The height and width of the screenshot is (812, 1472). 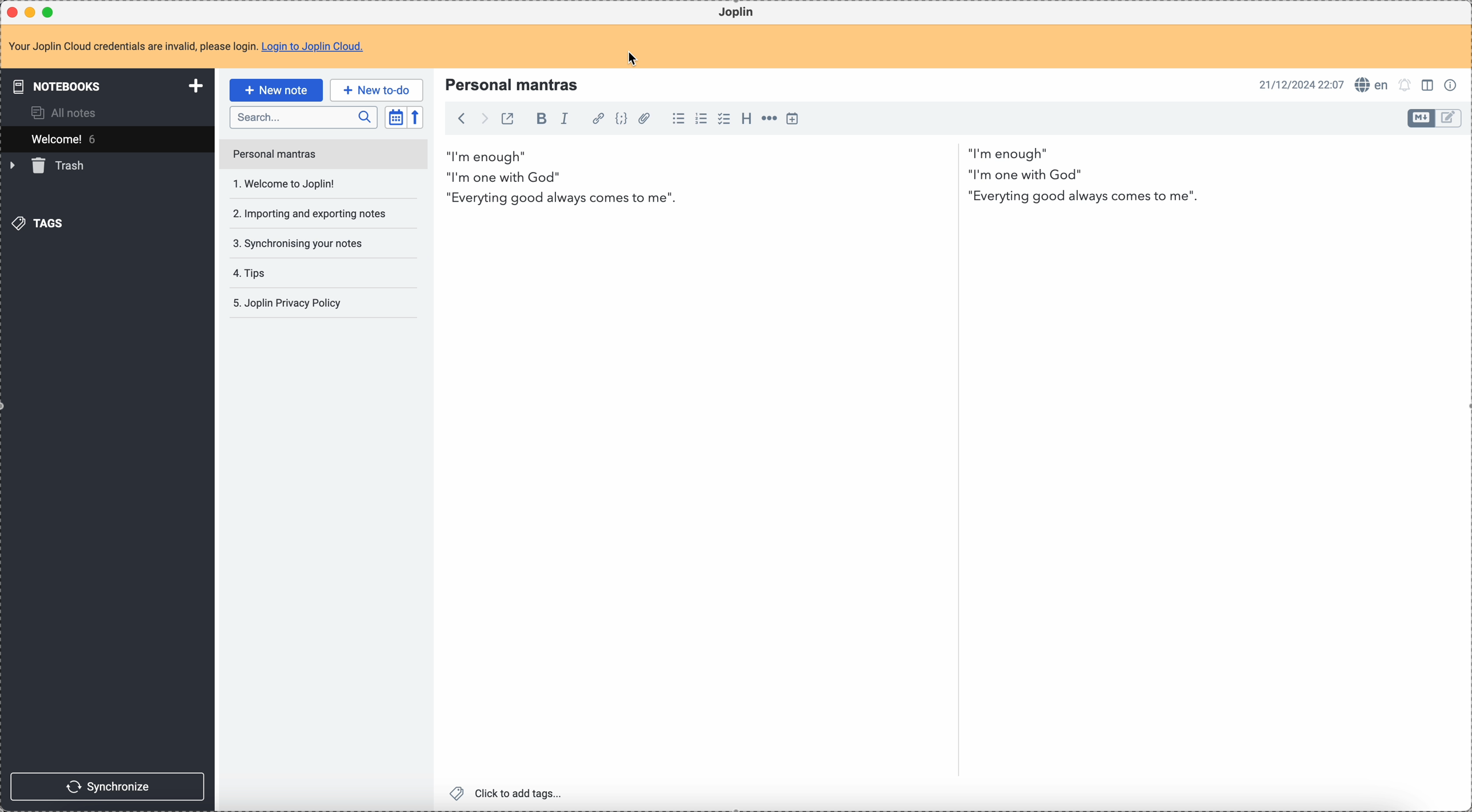 I want to click on toggle editor layout, so click(x=1450, y=117).